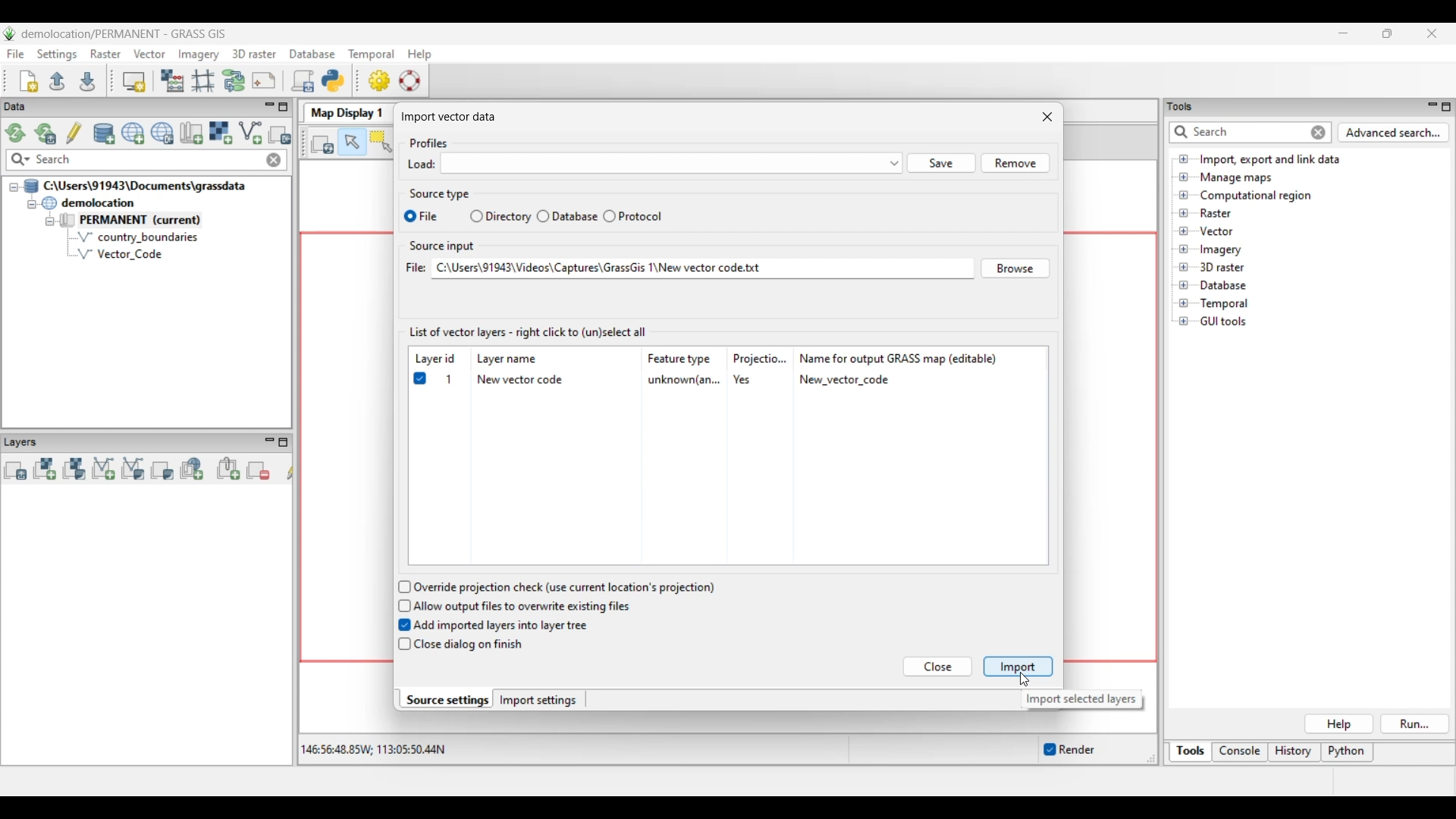 This screenshot has width=1456, height=819. I want to click on Description of selected button, so click(1082, 699).